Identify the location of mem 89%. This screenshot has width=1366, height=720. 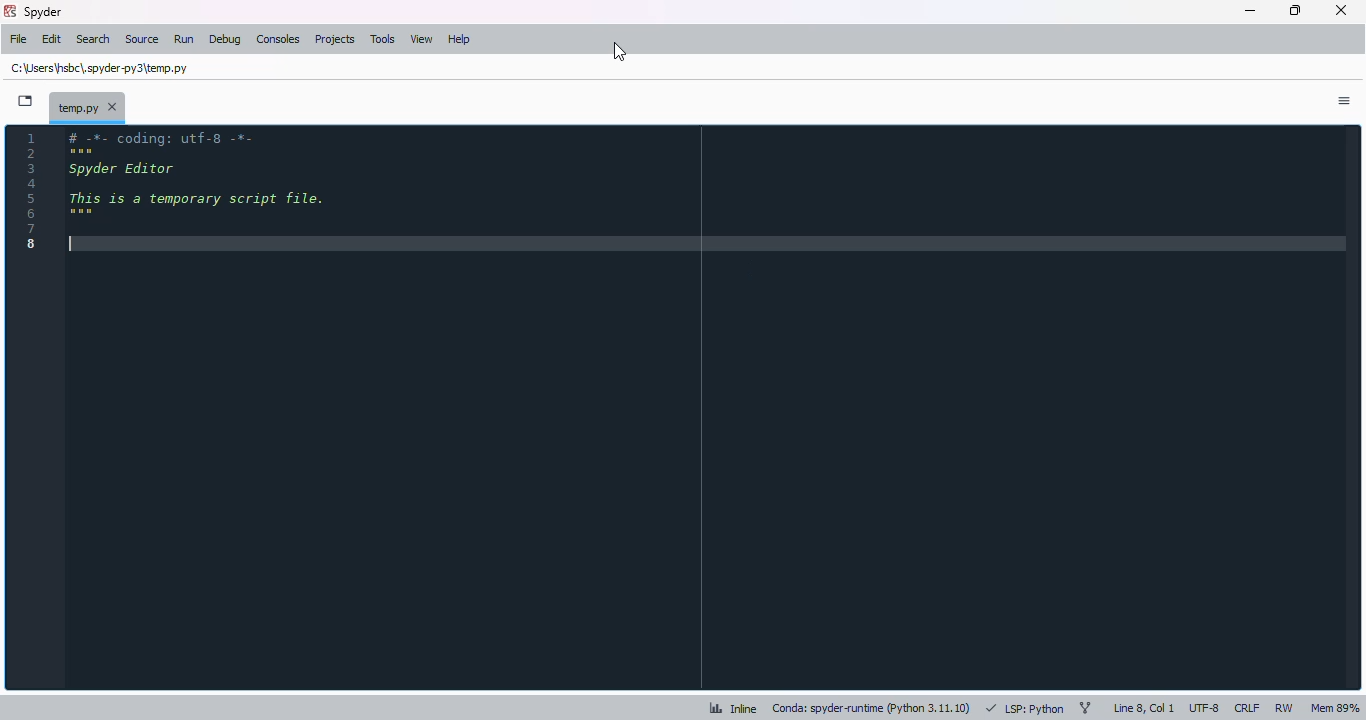
(1334, 708).